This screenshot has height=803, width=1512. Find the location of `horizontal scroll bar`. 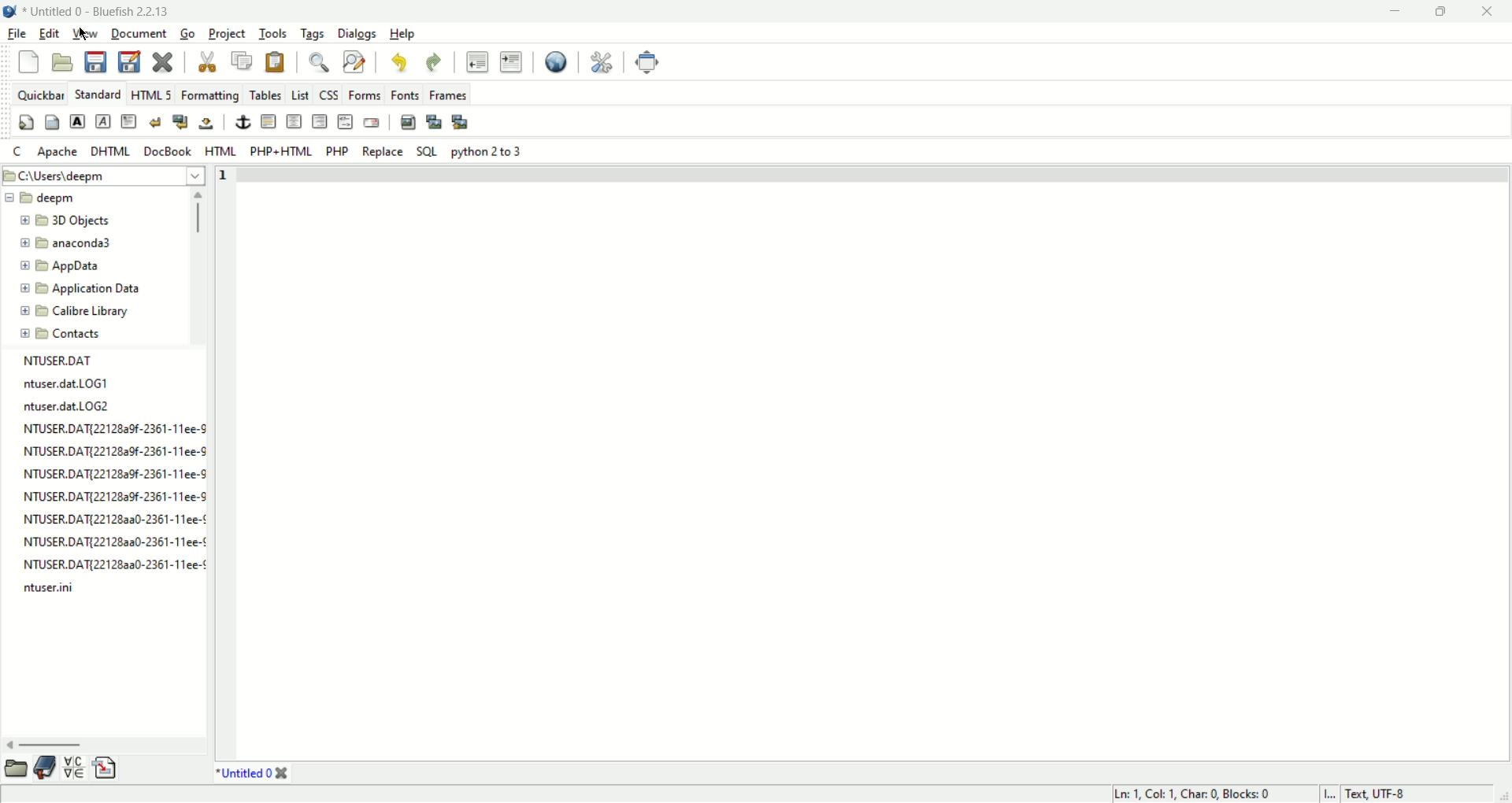

horizontal scroll bar is located at coordinates (100, 743).